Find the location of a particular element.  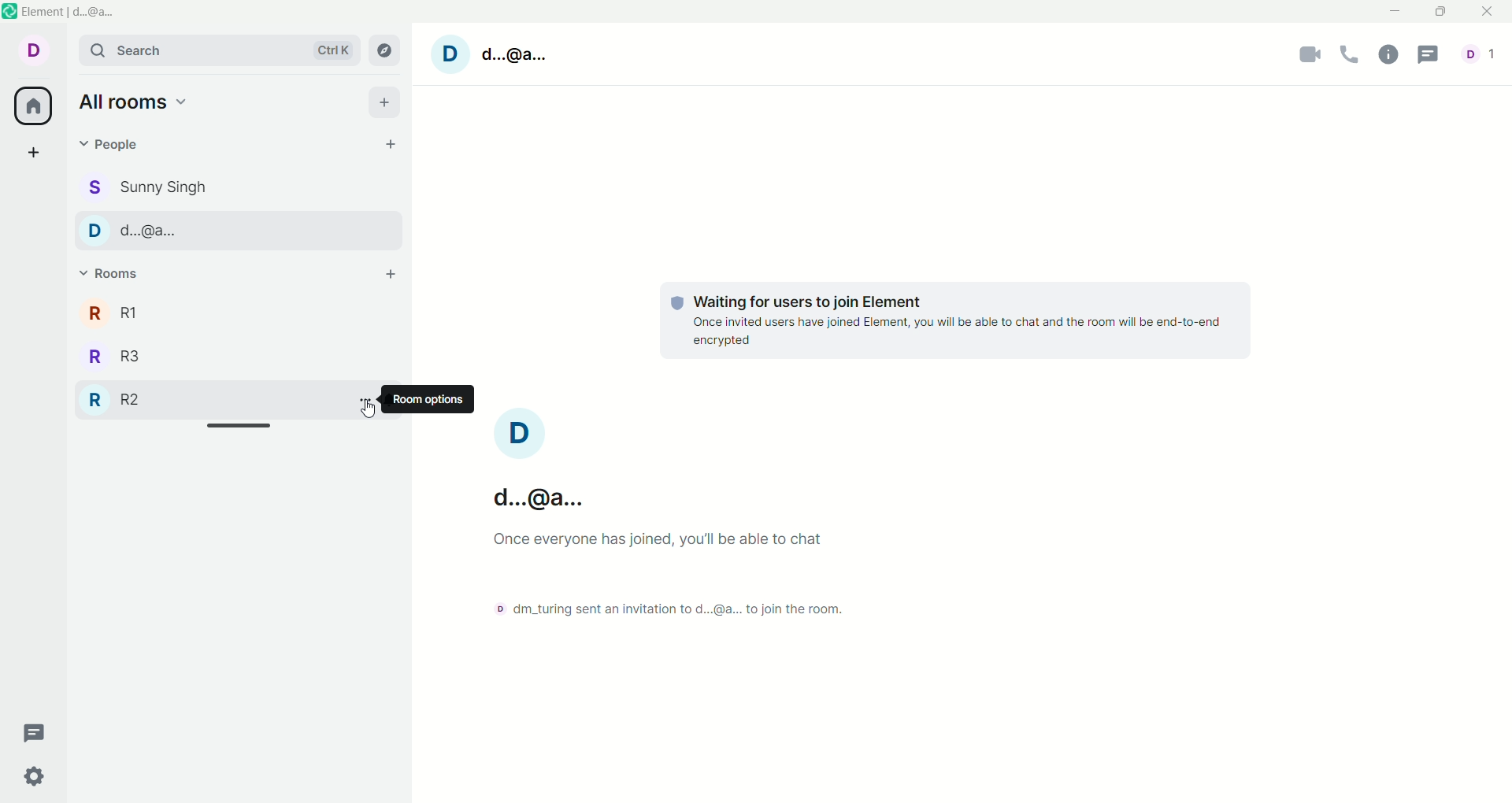

PEOPLE is located at coordinates (144, 230).